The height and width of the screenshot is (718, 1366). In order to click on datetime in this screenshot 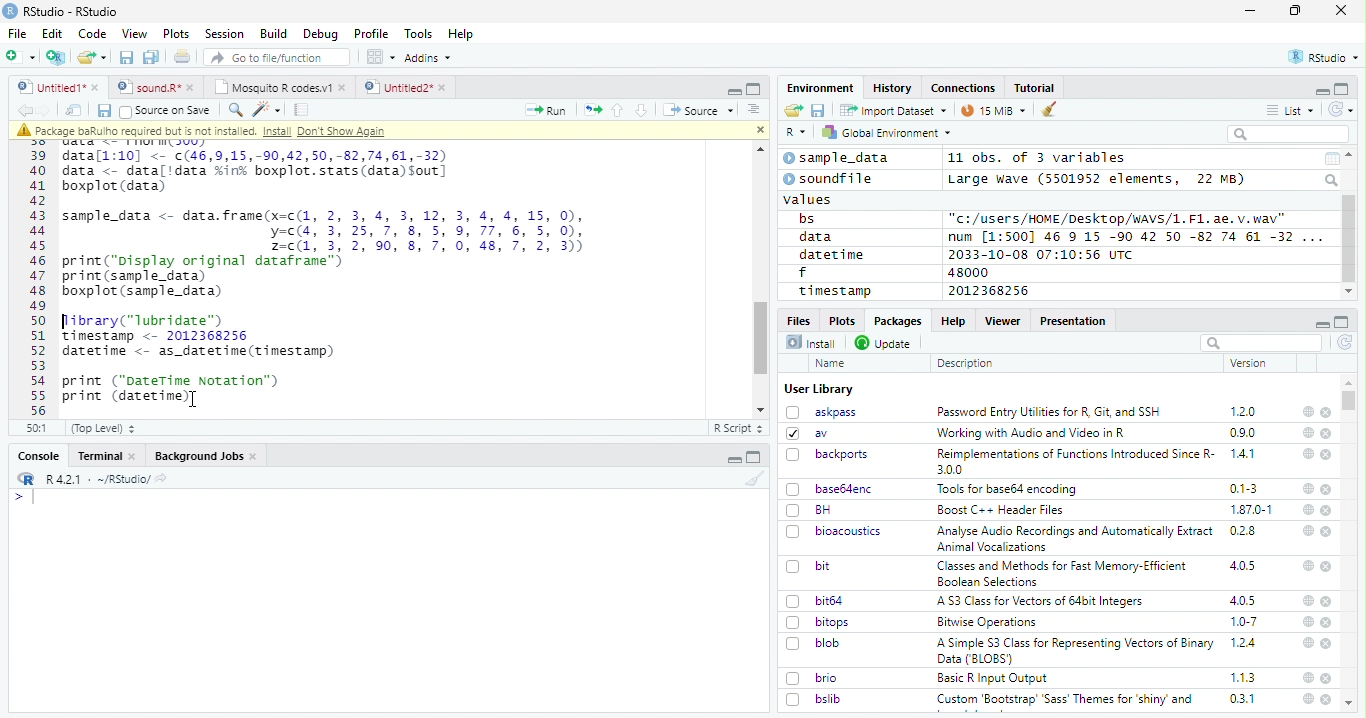, I will do `click(831, 254)`.